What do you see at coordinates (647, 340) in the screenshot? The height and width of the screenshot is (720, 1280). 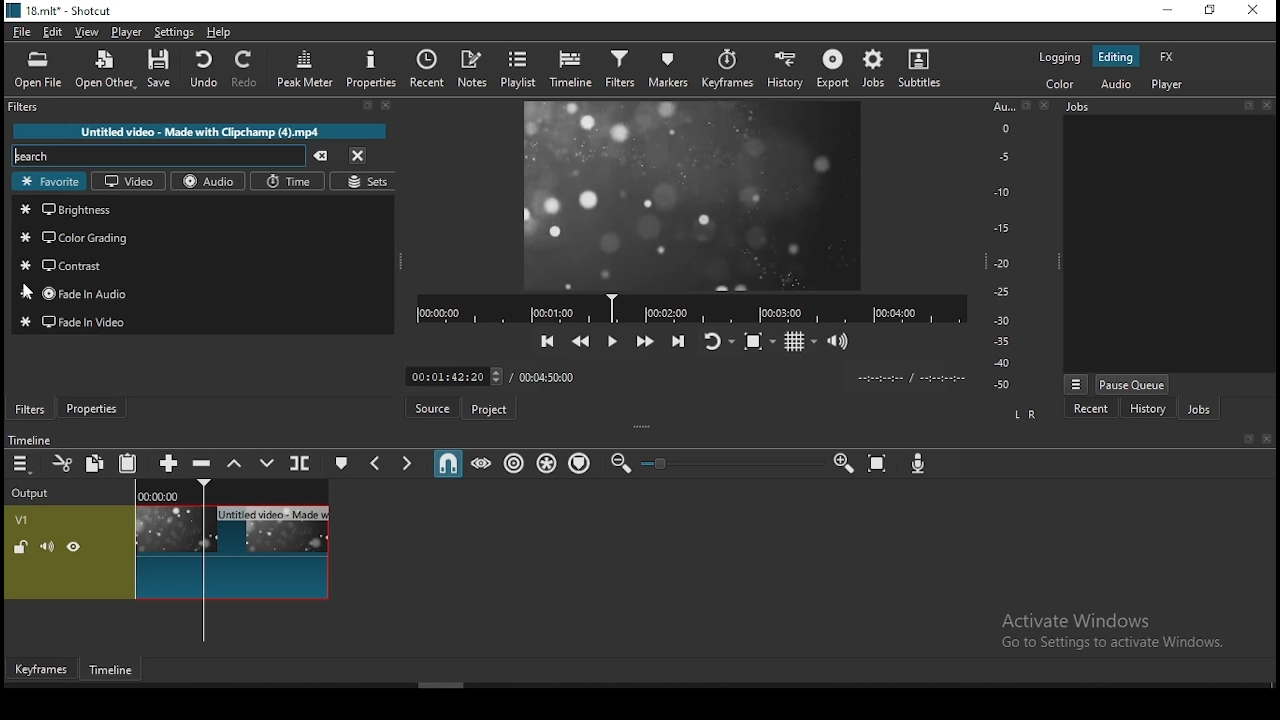 I see `play quickly forwards` at bounding box center [647, 340].